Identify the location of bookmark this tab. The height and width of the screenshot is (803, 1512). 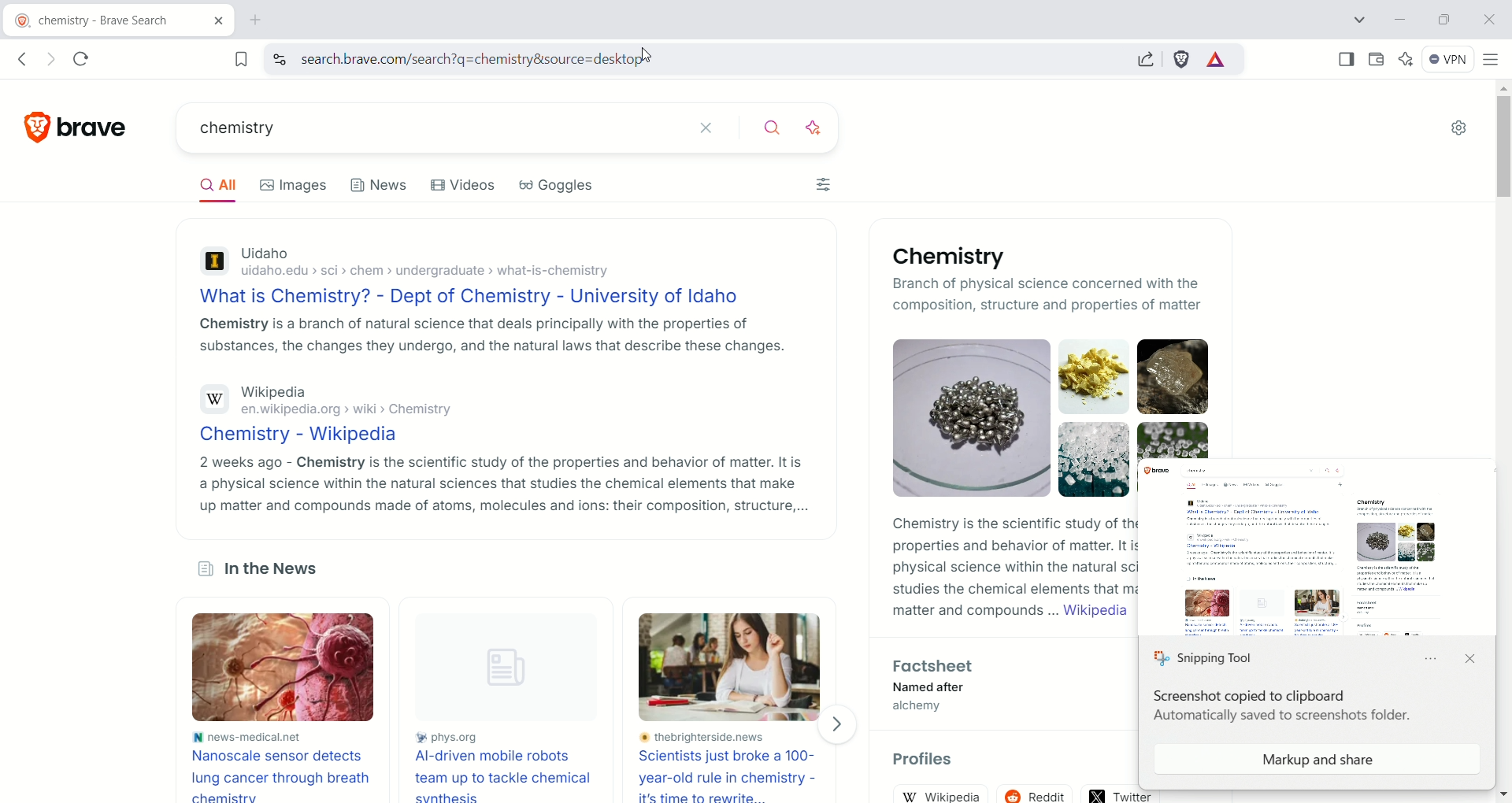
(242, 58).